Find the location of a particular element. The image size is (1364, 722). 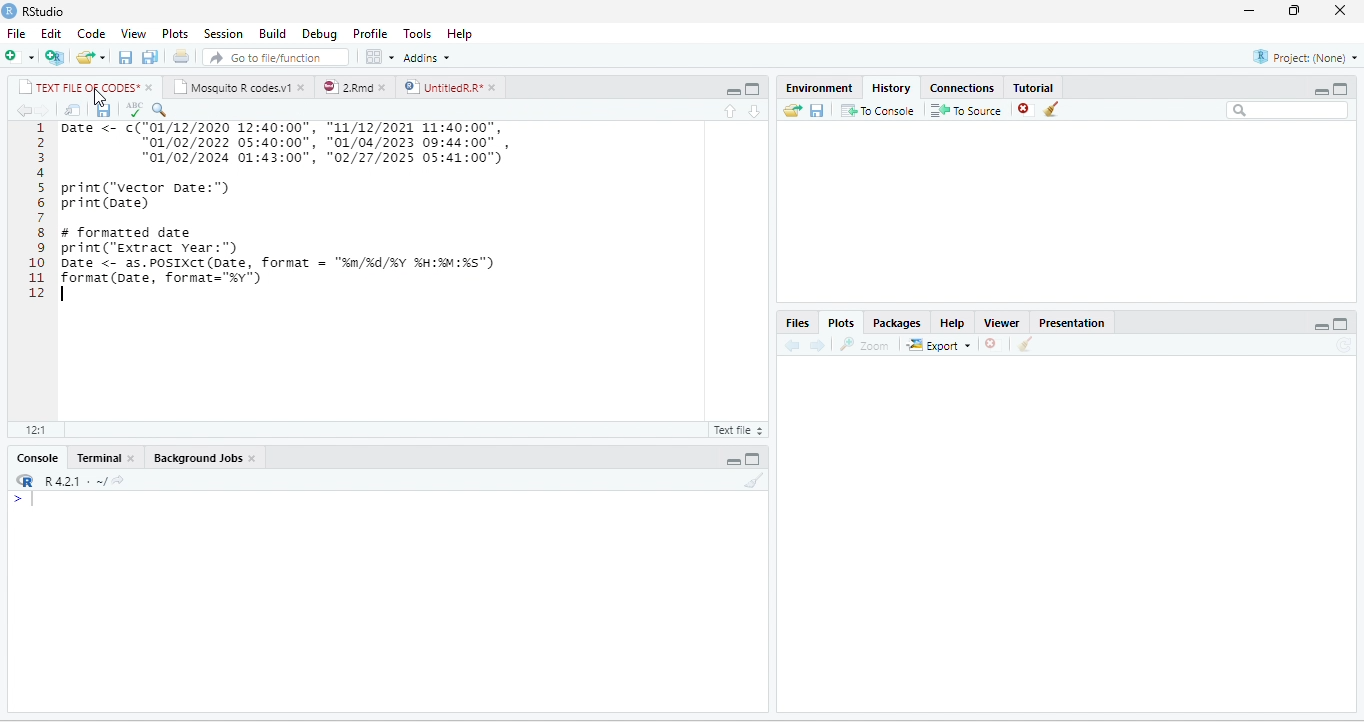

Plots is located at coordinates (841, 322).